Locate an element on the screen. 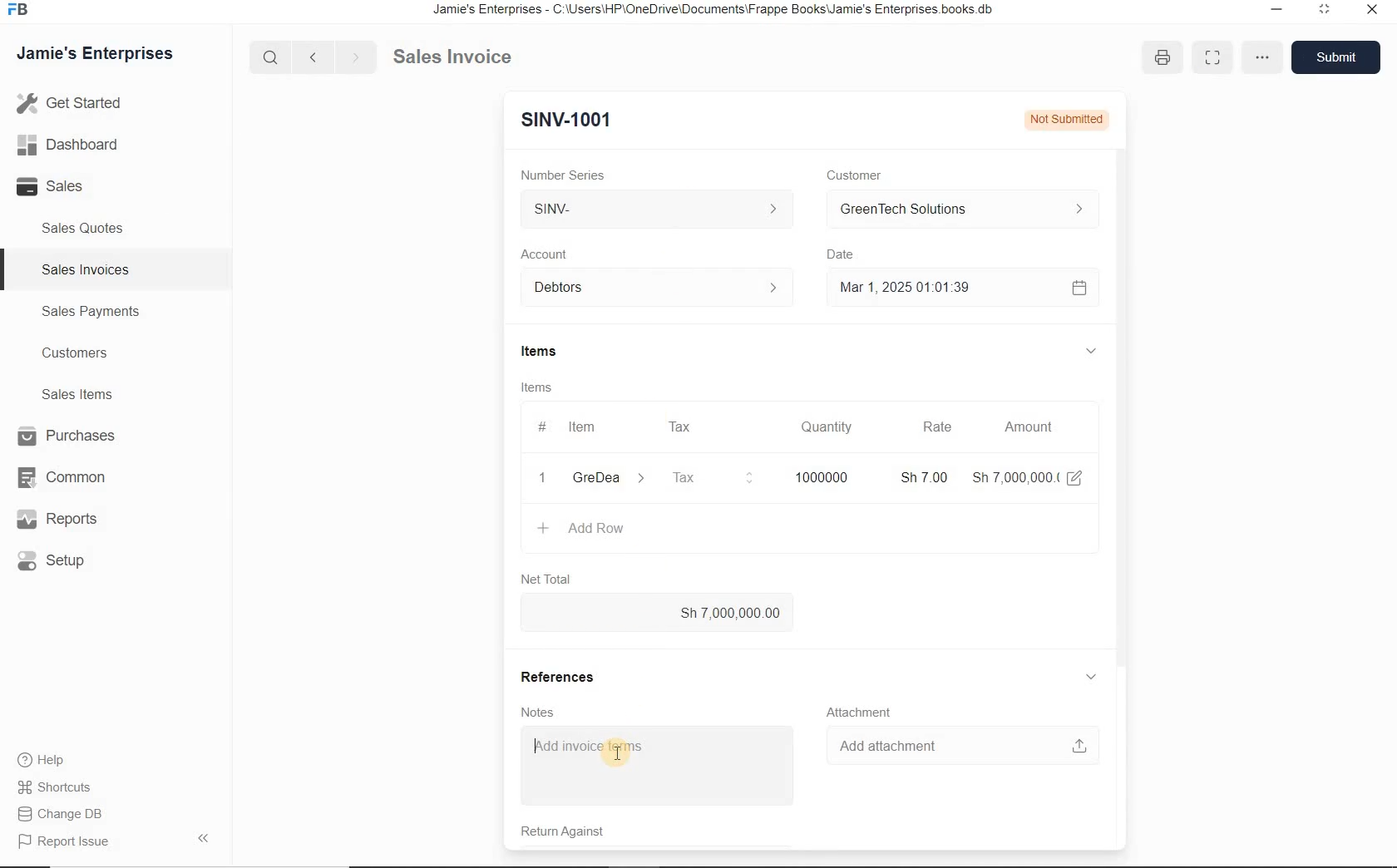  Net Total is located at coordinates (543, 578).